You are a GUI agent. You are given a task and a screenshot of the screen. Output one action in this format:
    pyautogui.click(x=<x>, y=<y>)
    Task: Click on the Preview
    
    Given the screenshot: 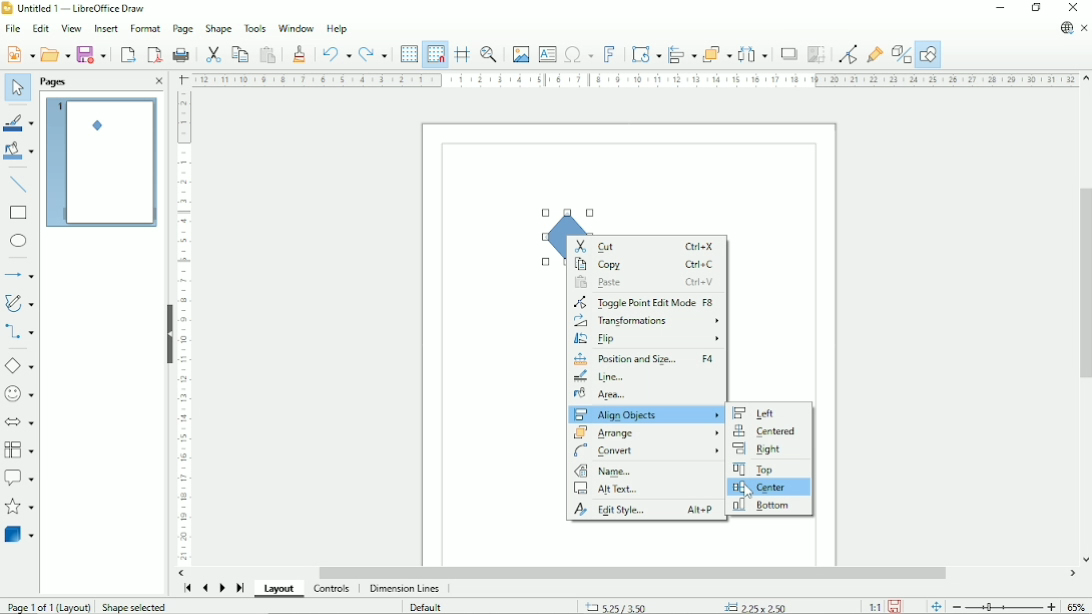 What is the action you would take?
    pyautogui.click(x=103, y=163)
    